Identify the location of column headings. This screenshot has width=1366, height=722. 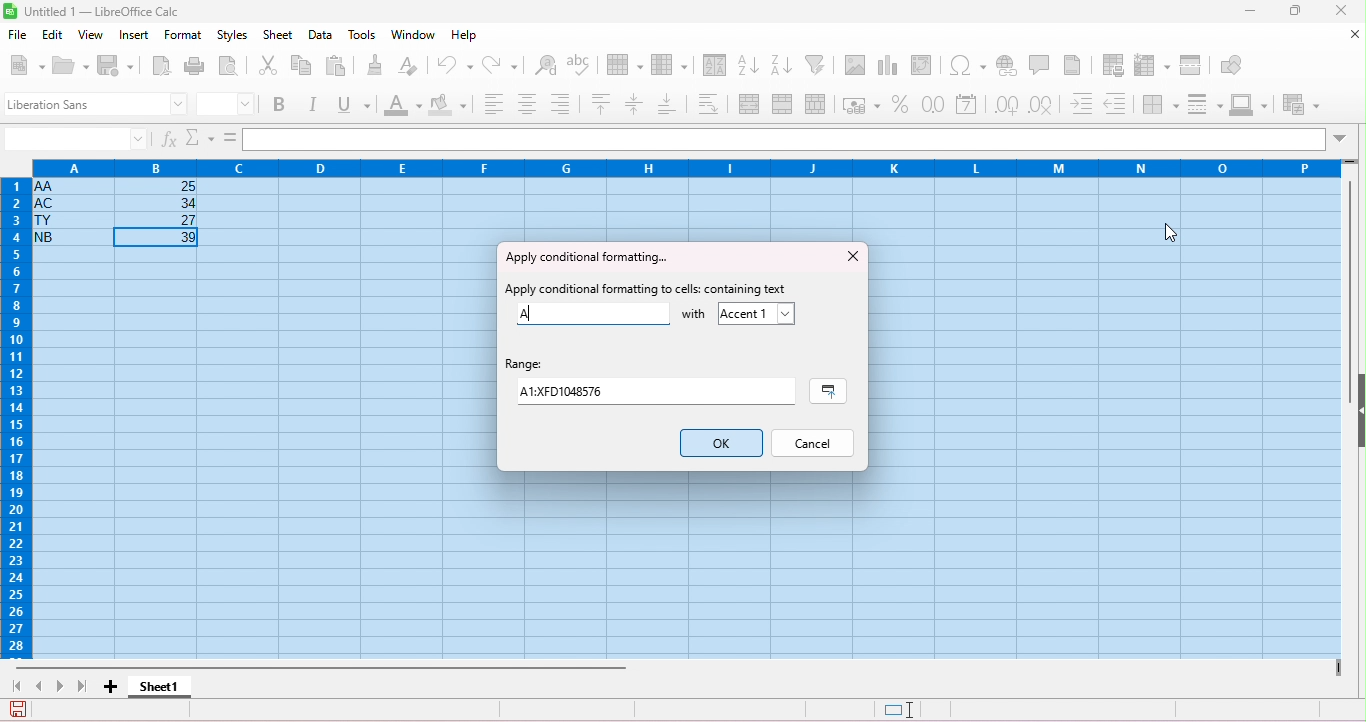
(680, 168).